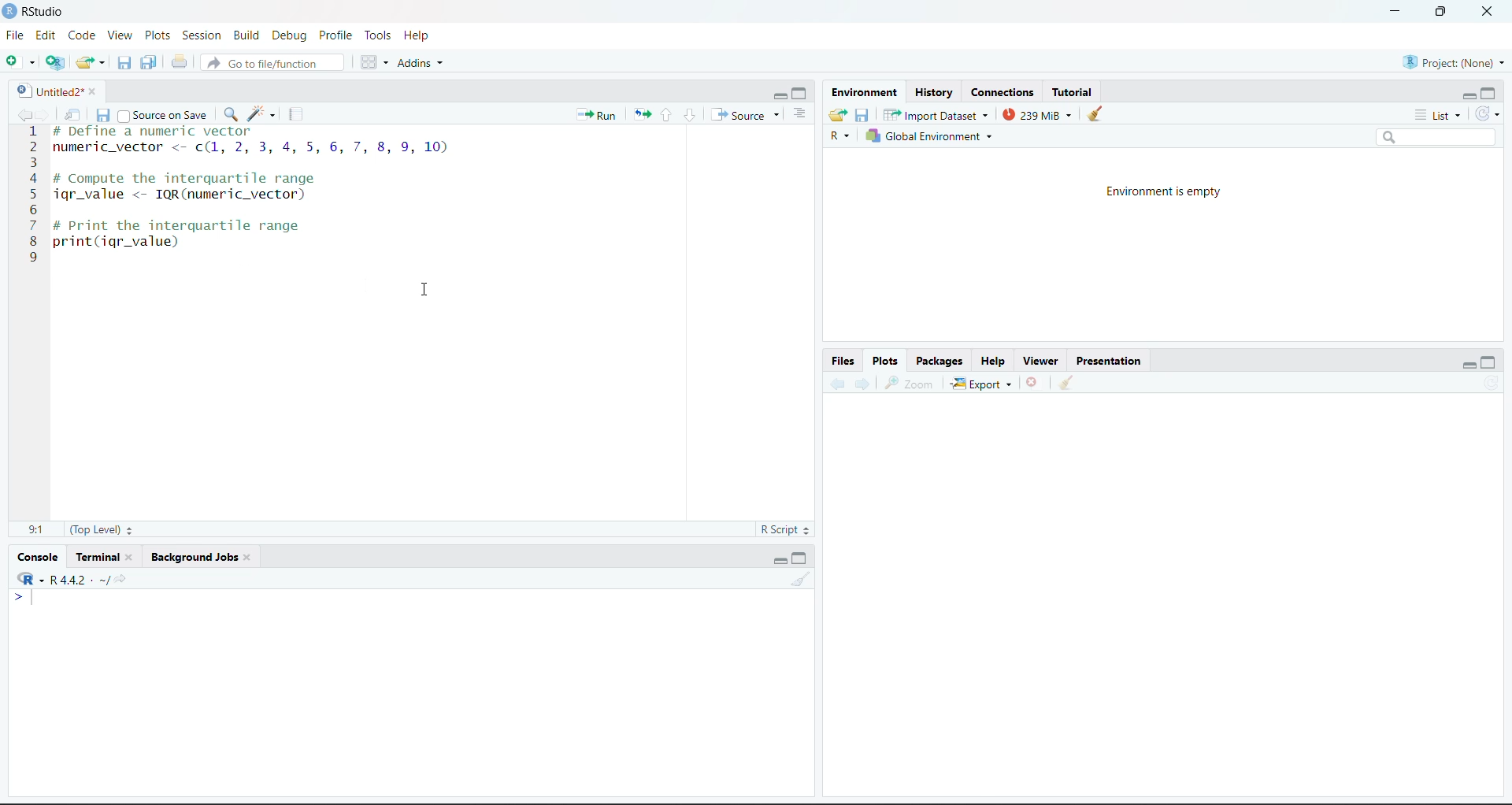 The width and height of the screenshot is (1512, 805). Describe the element at coordinates (81, 581) in the screenshot. I see `R.4.4.2~/` at that location.